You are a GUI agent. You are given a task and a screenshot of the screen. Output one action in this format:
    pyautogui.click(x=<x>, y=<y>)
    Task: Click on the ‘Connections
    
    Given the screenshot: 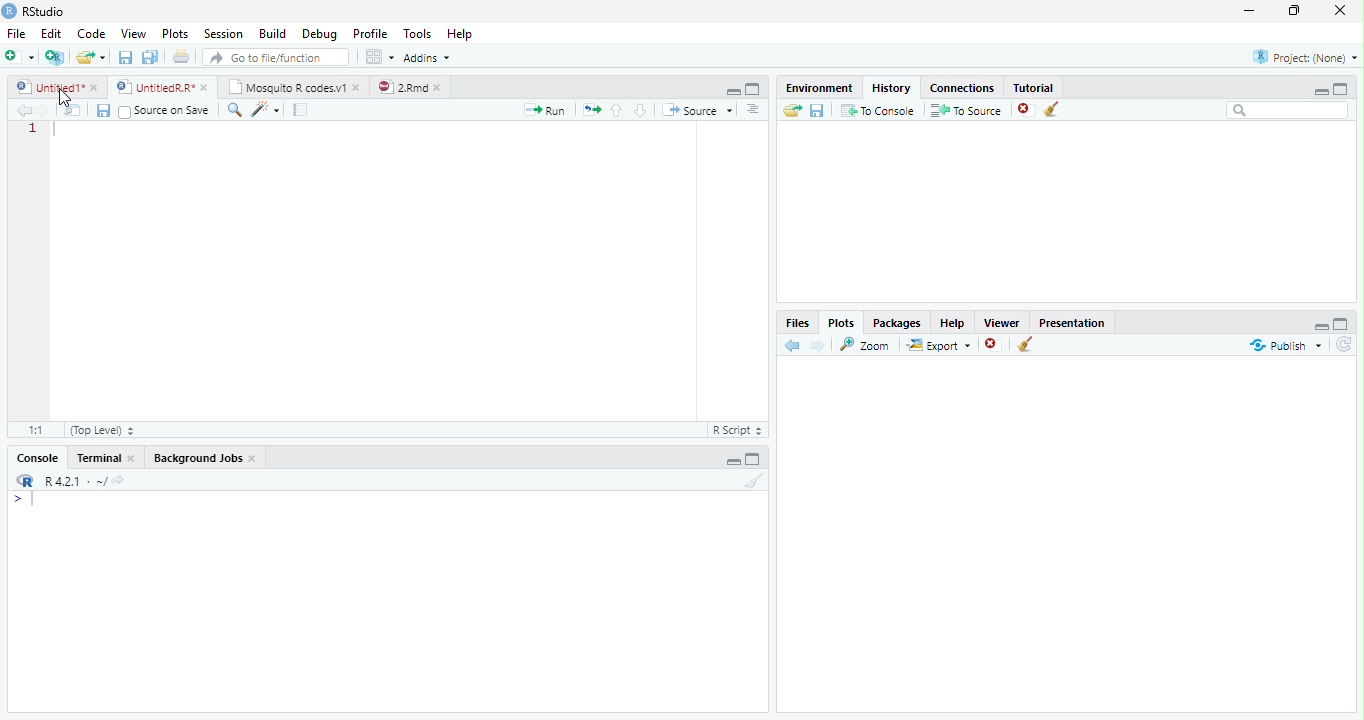 What is the action you would take?
    pyautogui.click(x=959, y=86)
    